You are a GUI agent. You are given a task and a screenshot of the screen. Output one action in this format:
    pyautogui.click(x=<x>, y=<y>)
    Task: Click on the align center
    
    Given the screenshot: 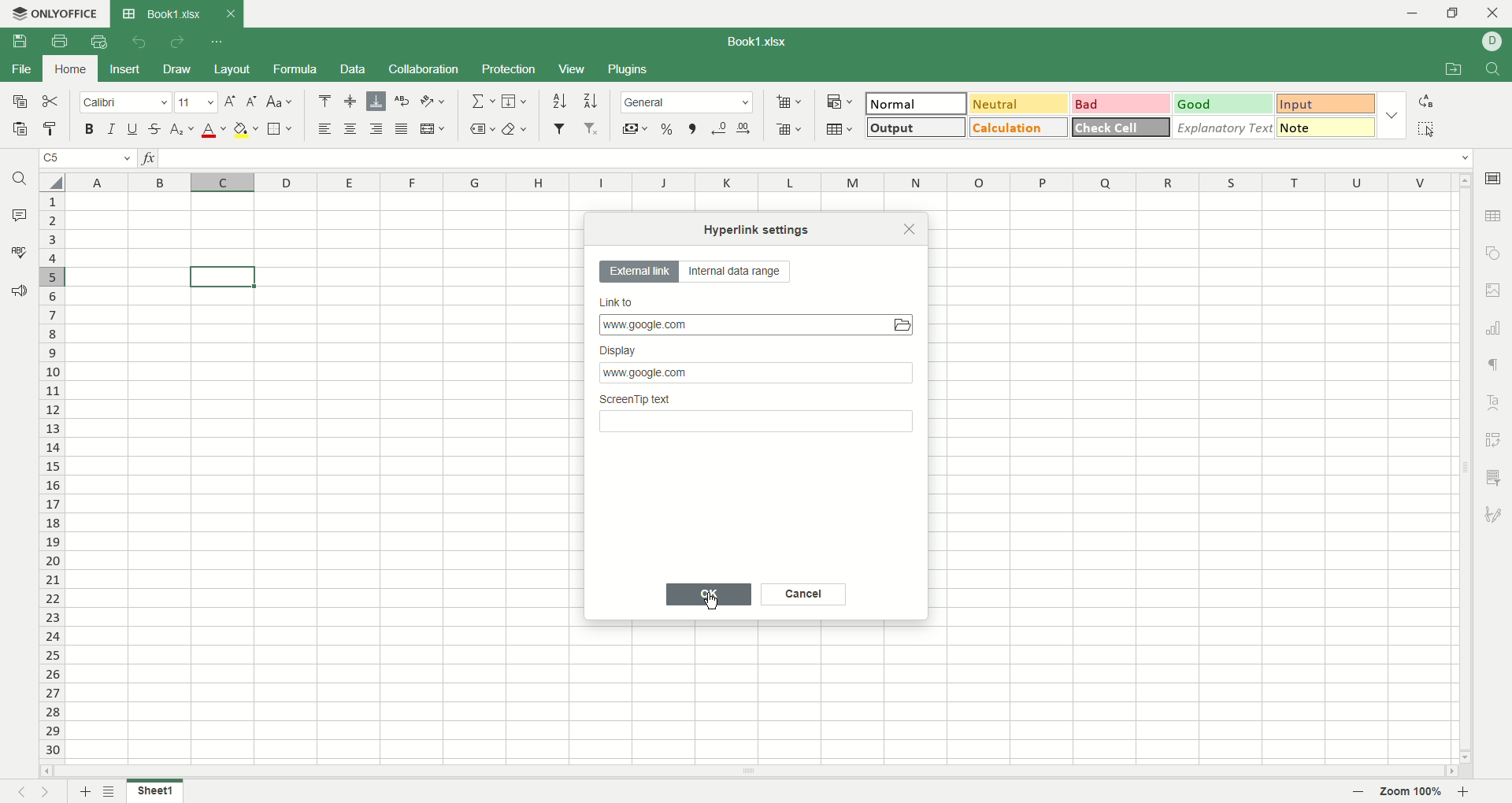 What is the action you would take?
    pyautogui.click(x=354, y=130)
    